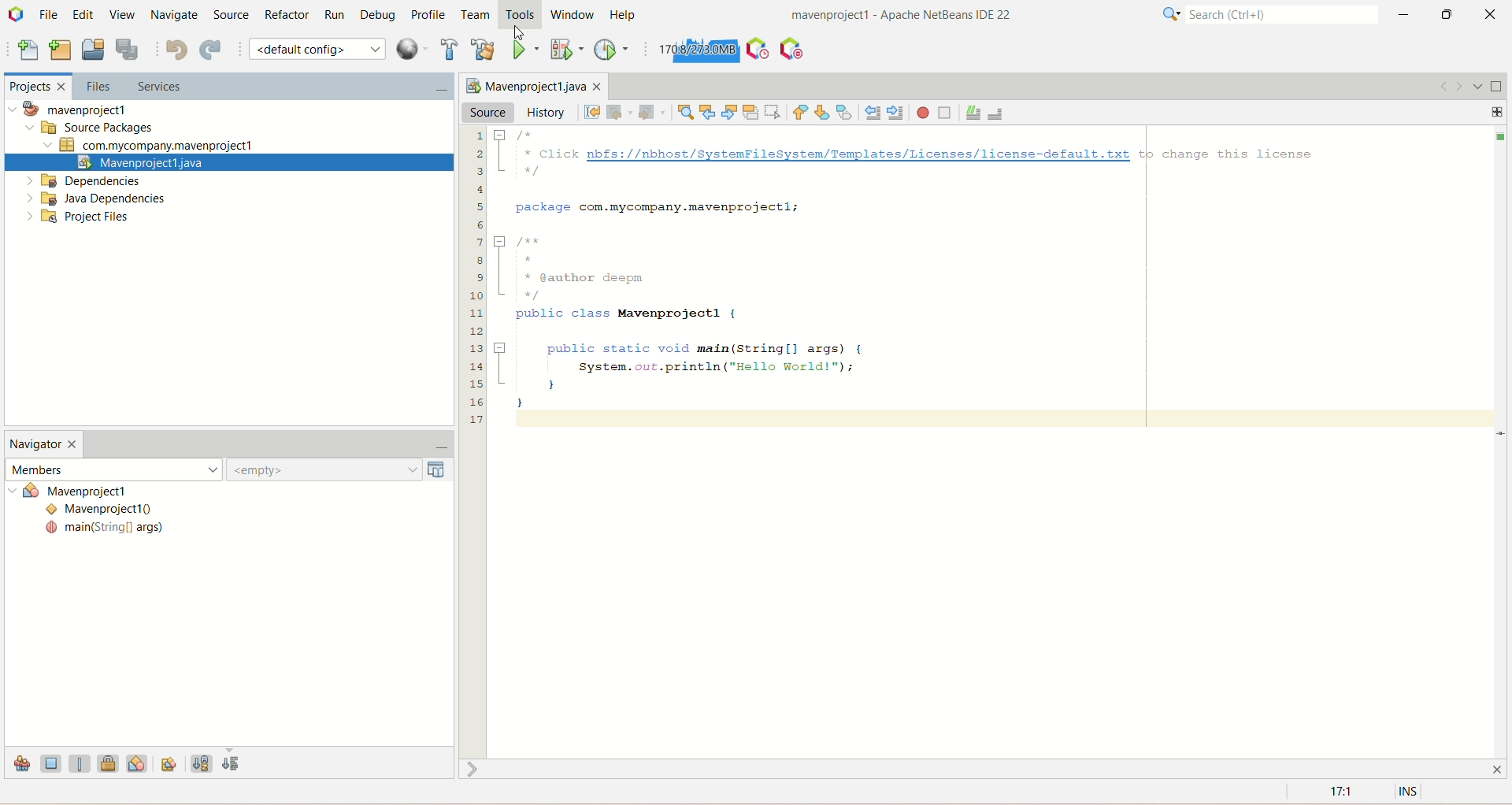  What do you see at coordinates (862, 17) in the screenshot?
I see `mavenproject1-Apache NetBeans IDE22` at bounding box center [862, 17].